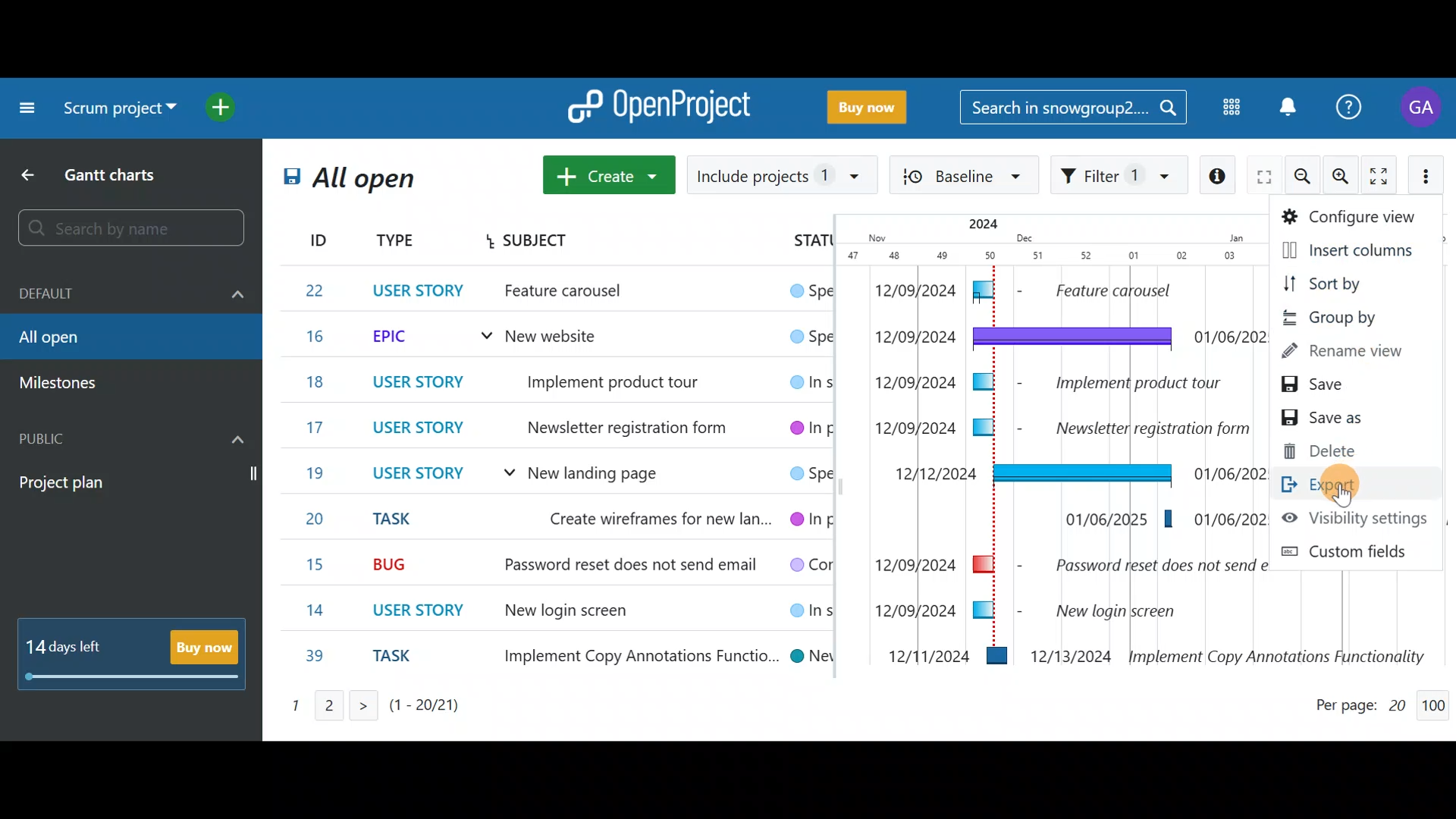 The height and width of the screenshot is (819, 1456). What do you see at coordinates (222, 111) in the screenshot?
I see `Open quick add menu` at bounding box center [222, 111].